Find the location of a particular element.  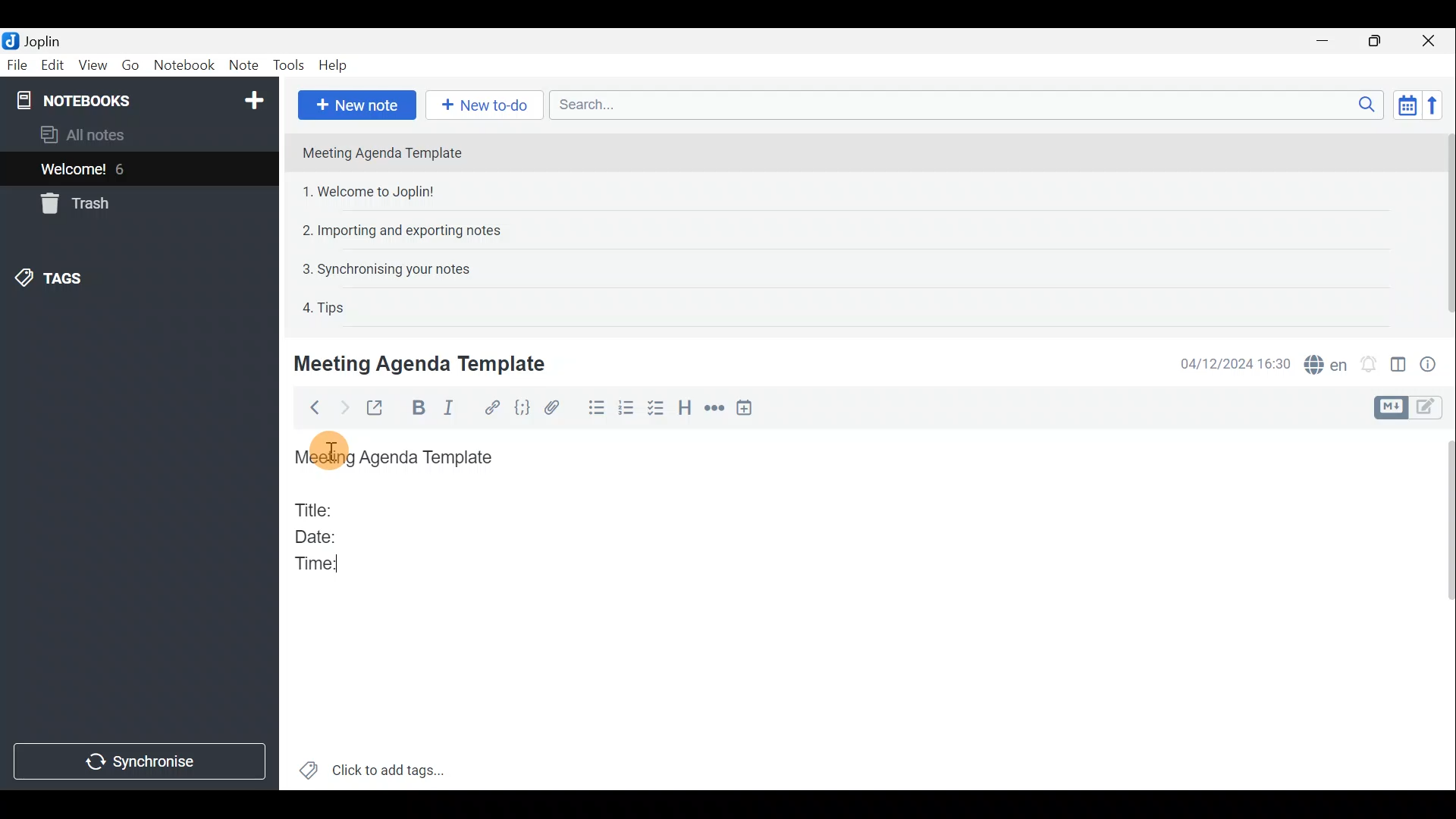

Toggle external editing is located at coordinates (379, 409).